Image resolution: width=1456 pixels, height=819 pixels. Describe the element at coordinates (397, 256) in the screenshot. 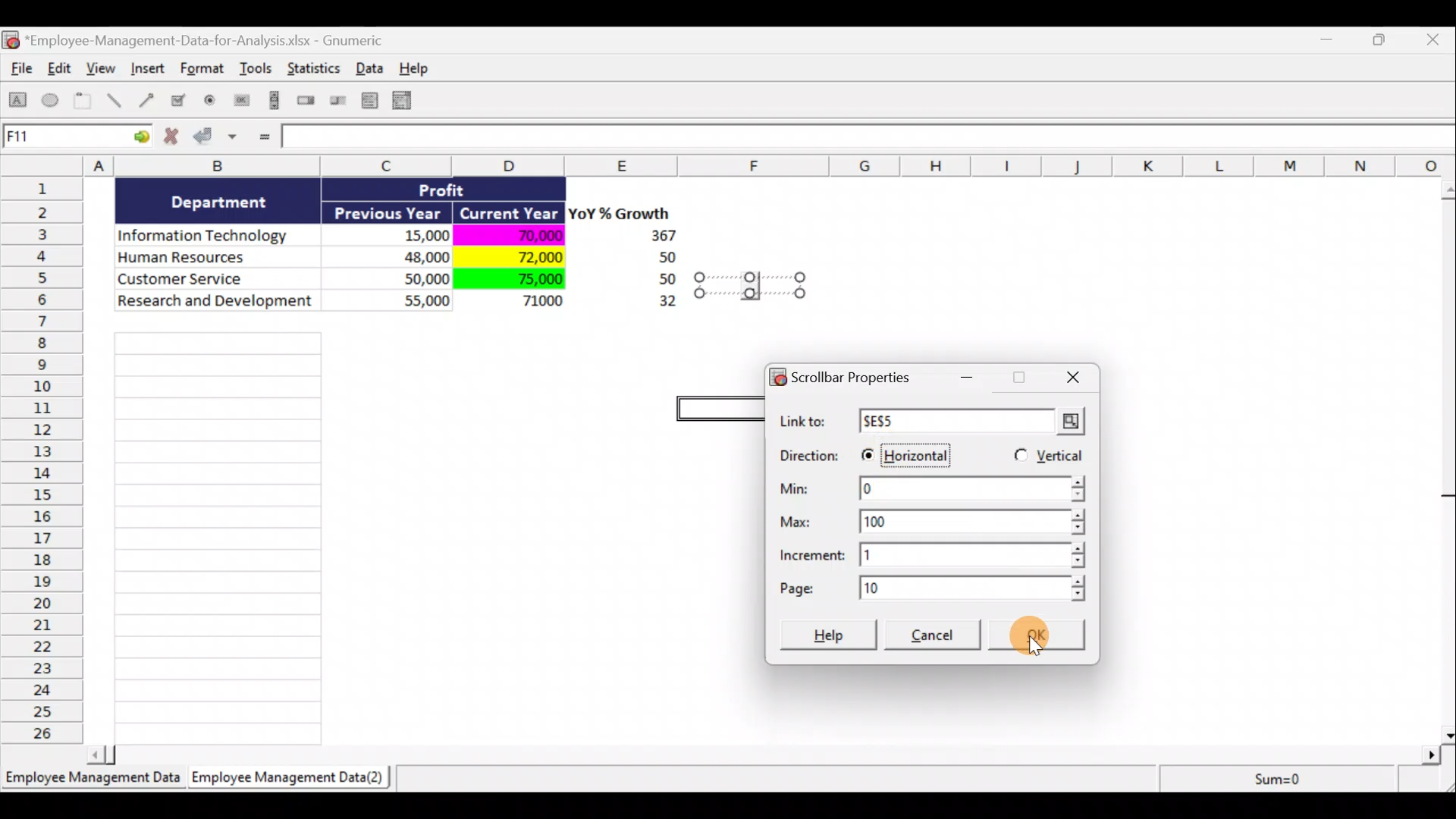

I see `Data` at that location.